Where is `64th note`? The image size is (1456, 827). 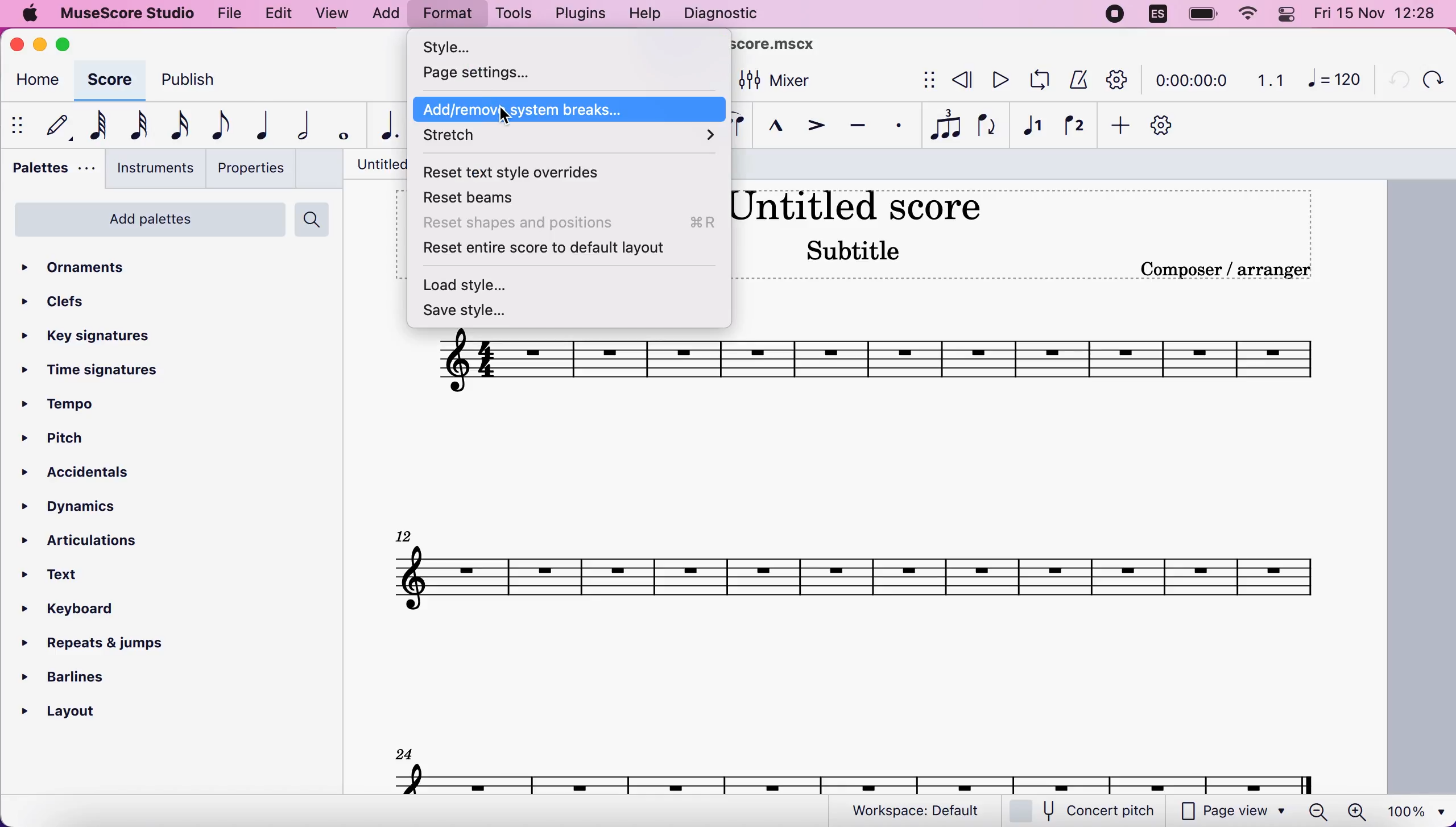 64th note is located at coordinates (98, 125).